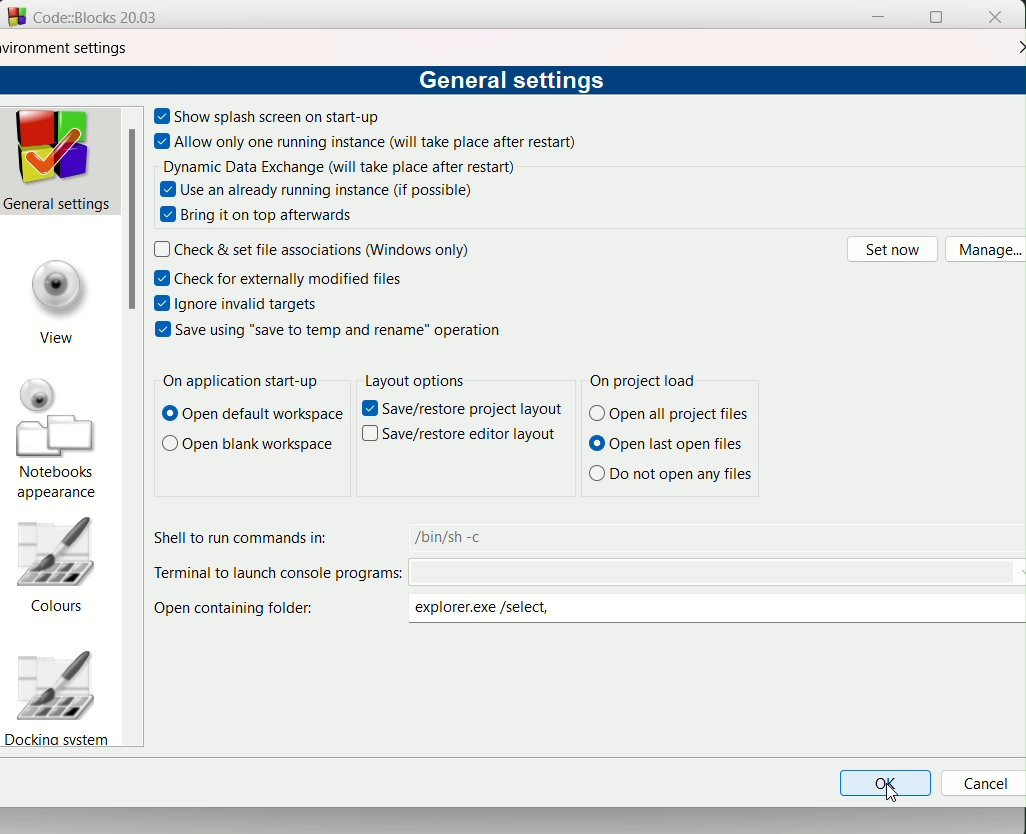  Describe the element at coordinates (292, 279) in the screenshot. I see `text` at that location.